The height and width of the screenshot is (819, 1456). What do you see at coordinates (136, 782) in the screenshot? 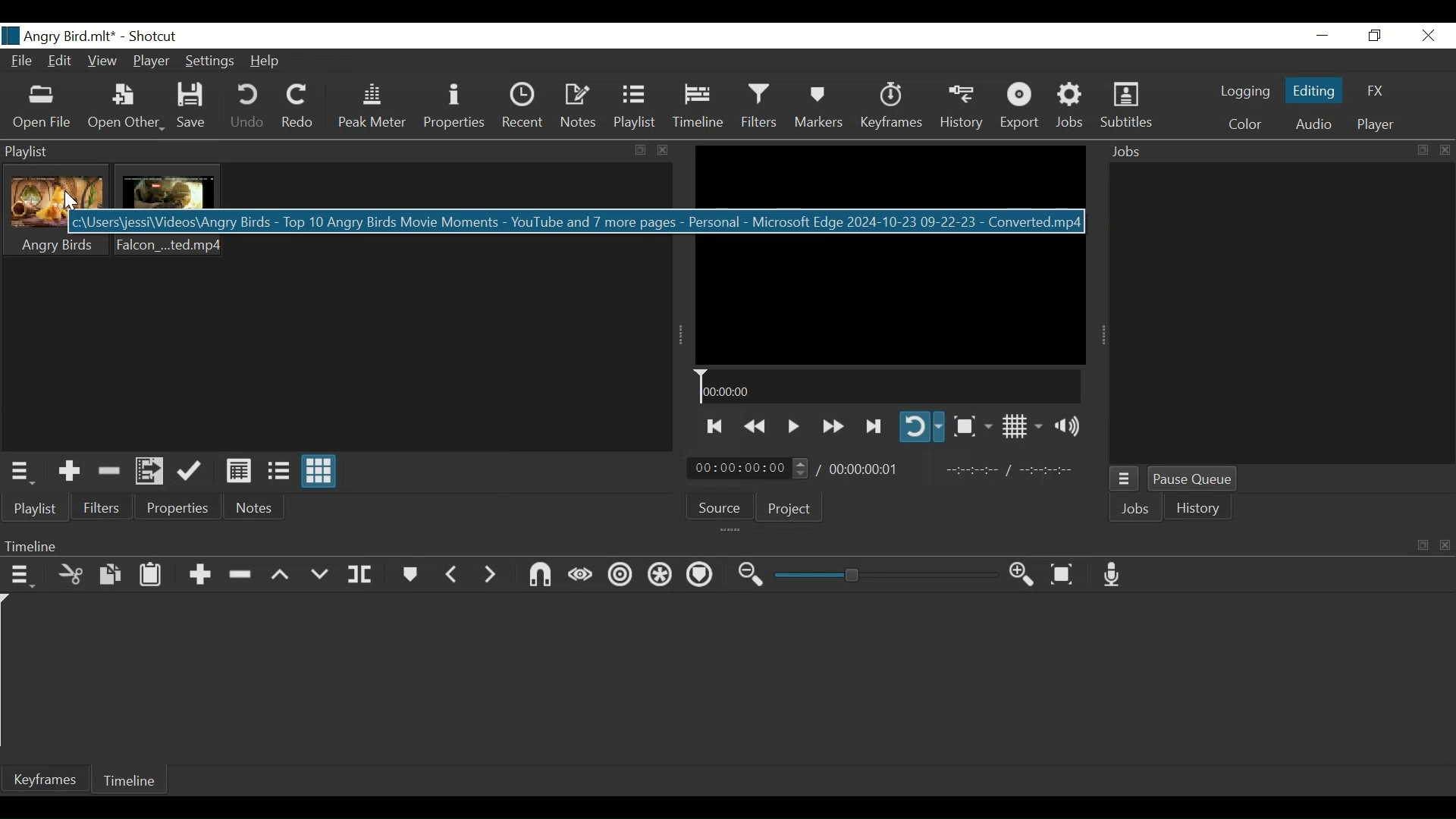
I see `Timeline` at bounding box center [136, 782].